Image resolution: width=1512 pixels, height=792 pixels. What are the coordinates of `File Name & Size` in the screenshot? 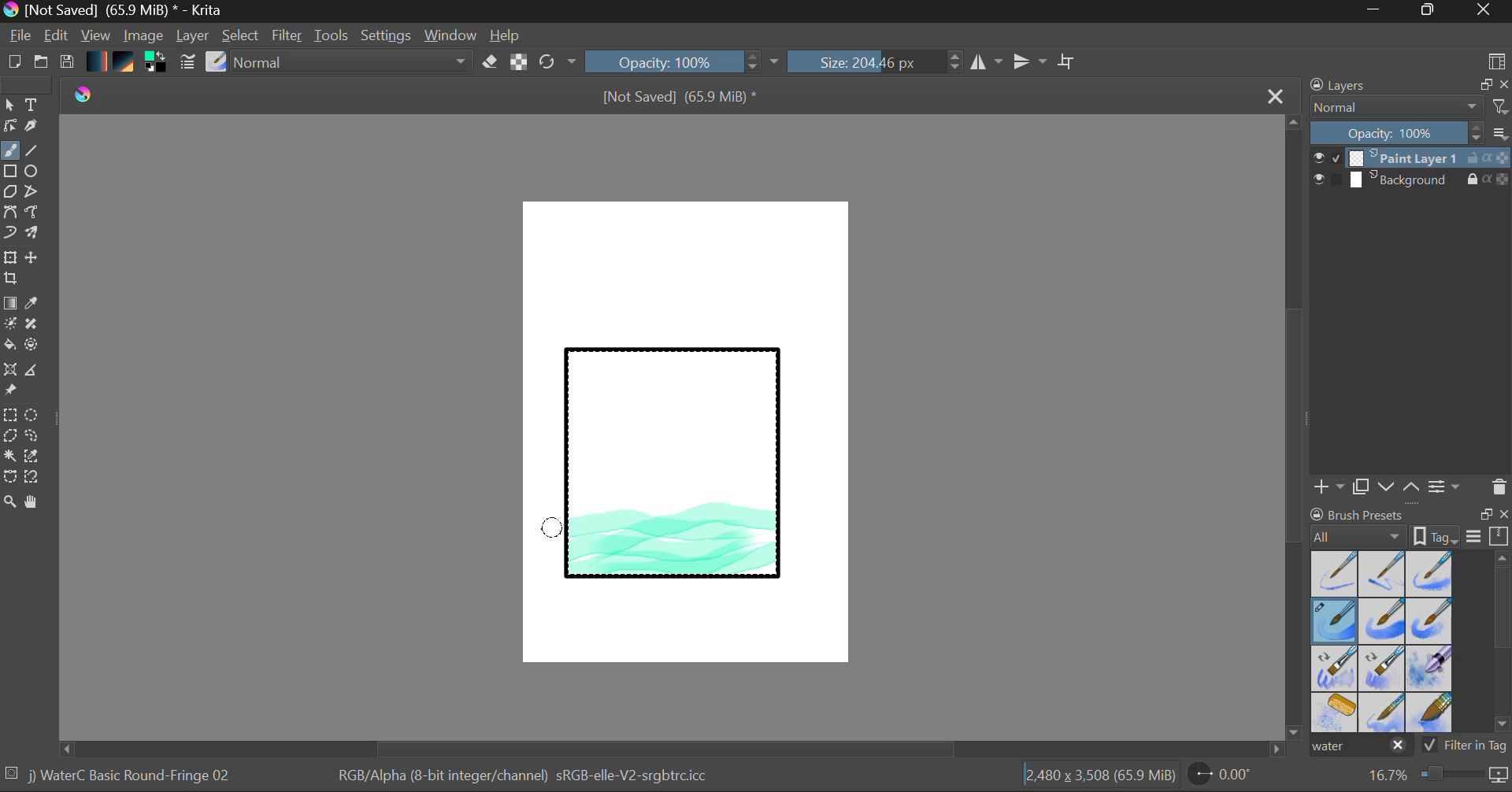 It's located at (680, 98).